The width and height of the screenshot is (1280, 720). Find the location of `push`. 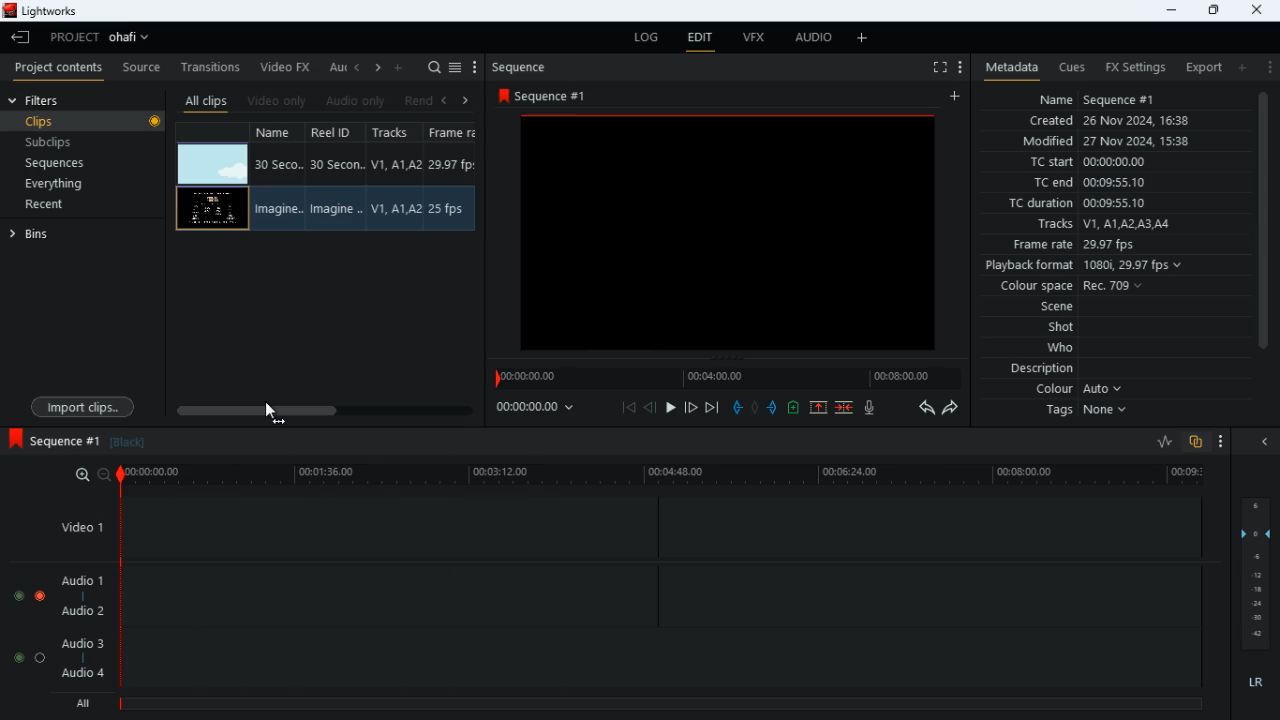

push is located at coordinates (774, 409).